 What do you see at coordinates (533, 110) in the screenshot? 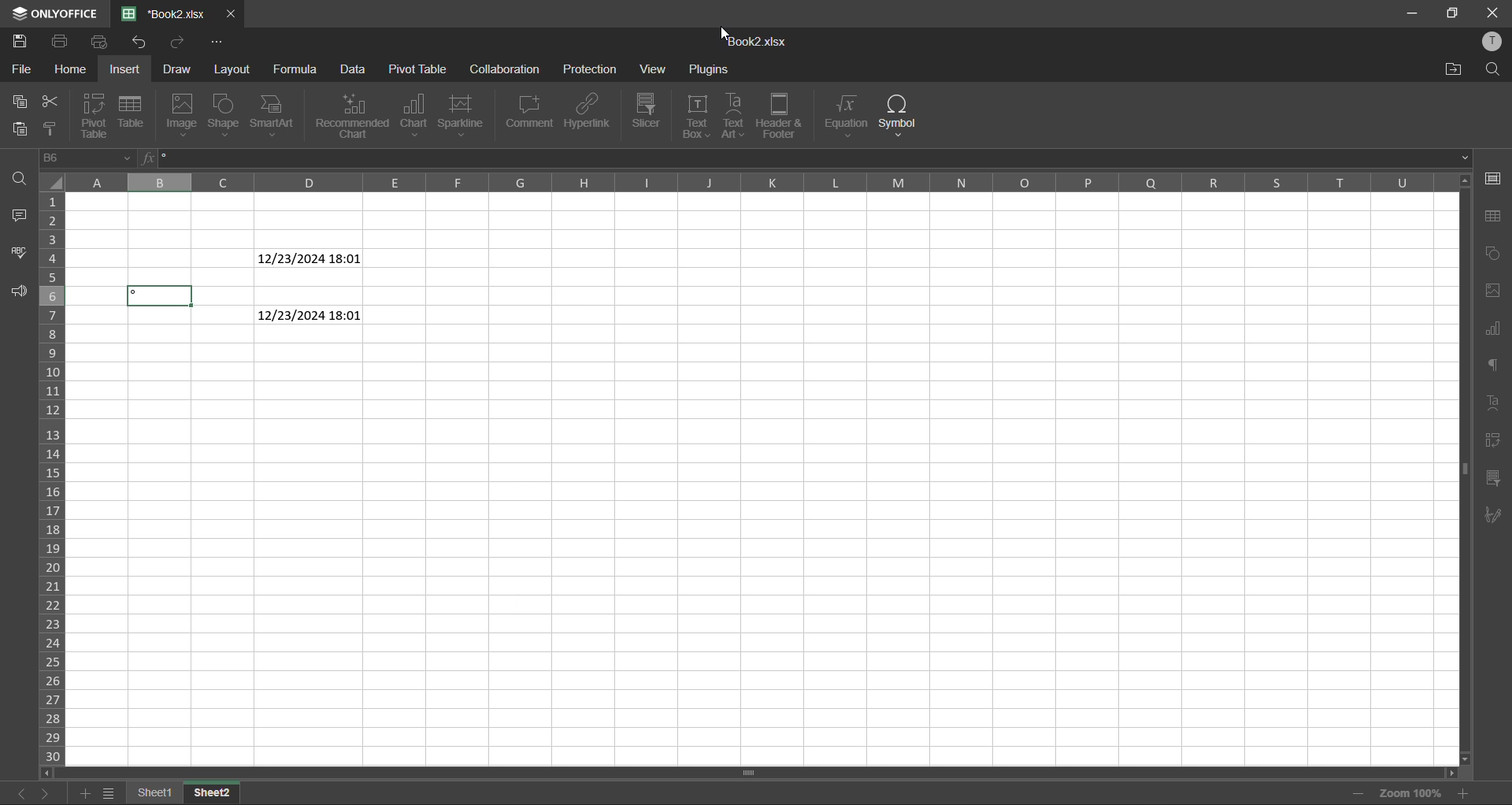
I see `comment` at bounding box center [533, 110].